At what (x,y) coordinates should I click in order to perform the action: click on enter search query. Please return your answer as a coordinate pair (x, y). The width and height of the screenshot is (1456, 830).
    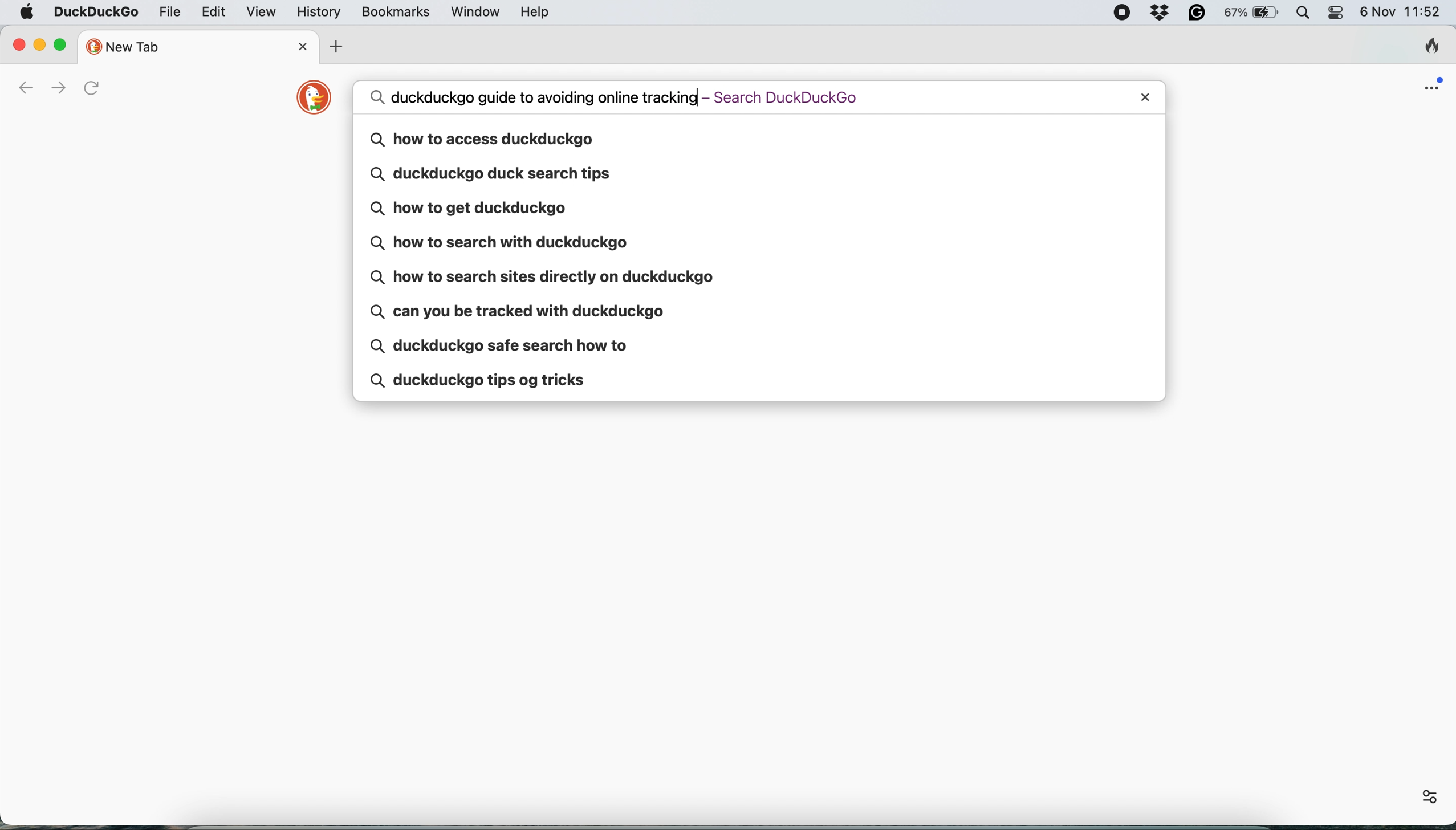
    Looking at the image, I should click on (725, 98).